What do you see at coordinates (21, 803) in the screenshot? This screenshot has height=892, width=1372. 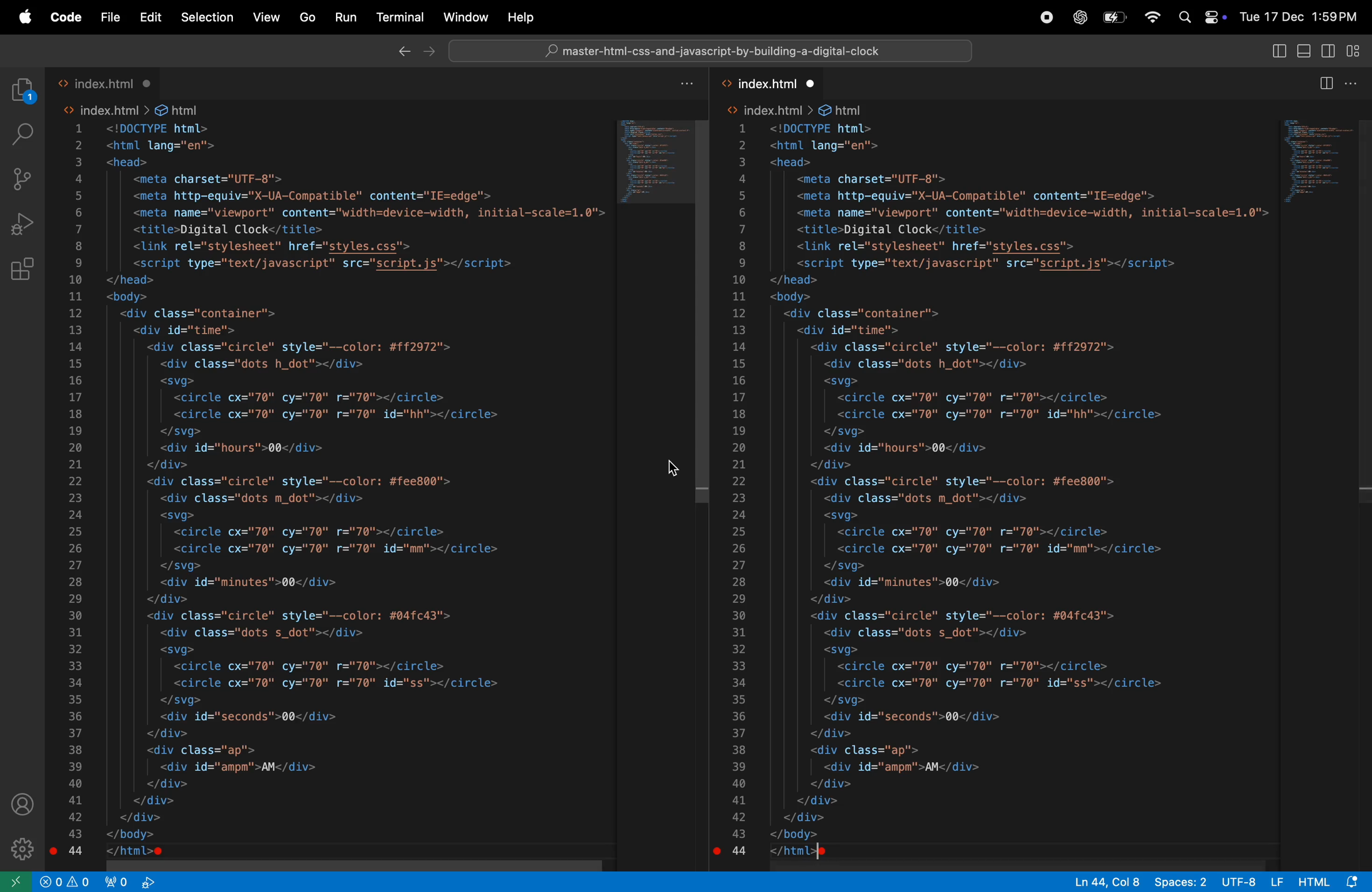 I see `profile` at bounding box center [21, 803].